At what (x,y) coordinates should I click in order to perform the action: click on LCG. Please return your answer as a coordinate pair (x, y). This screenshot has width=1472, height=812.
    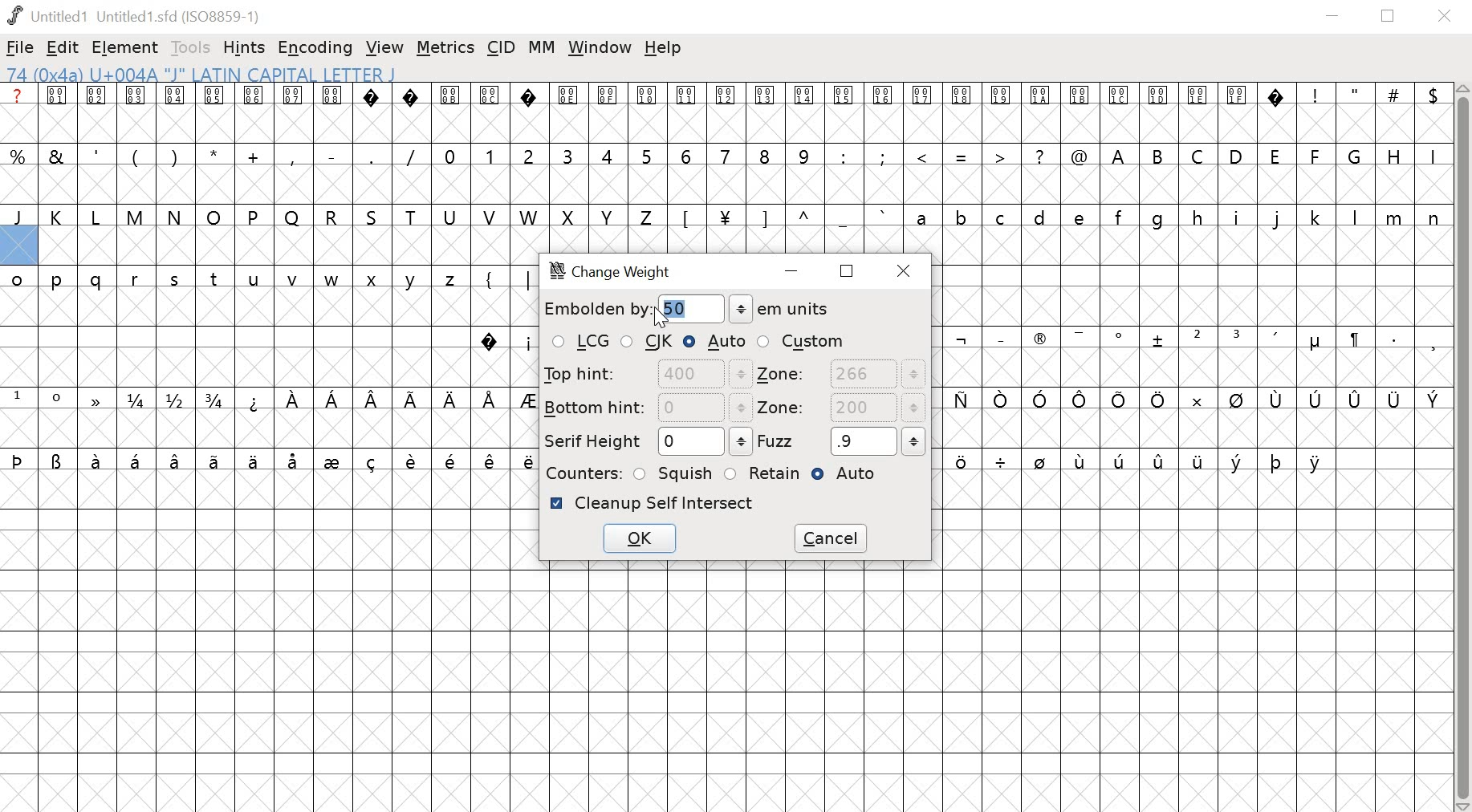
    Looking at the image, I should click on (579, 343).